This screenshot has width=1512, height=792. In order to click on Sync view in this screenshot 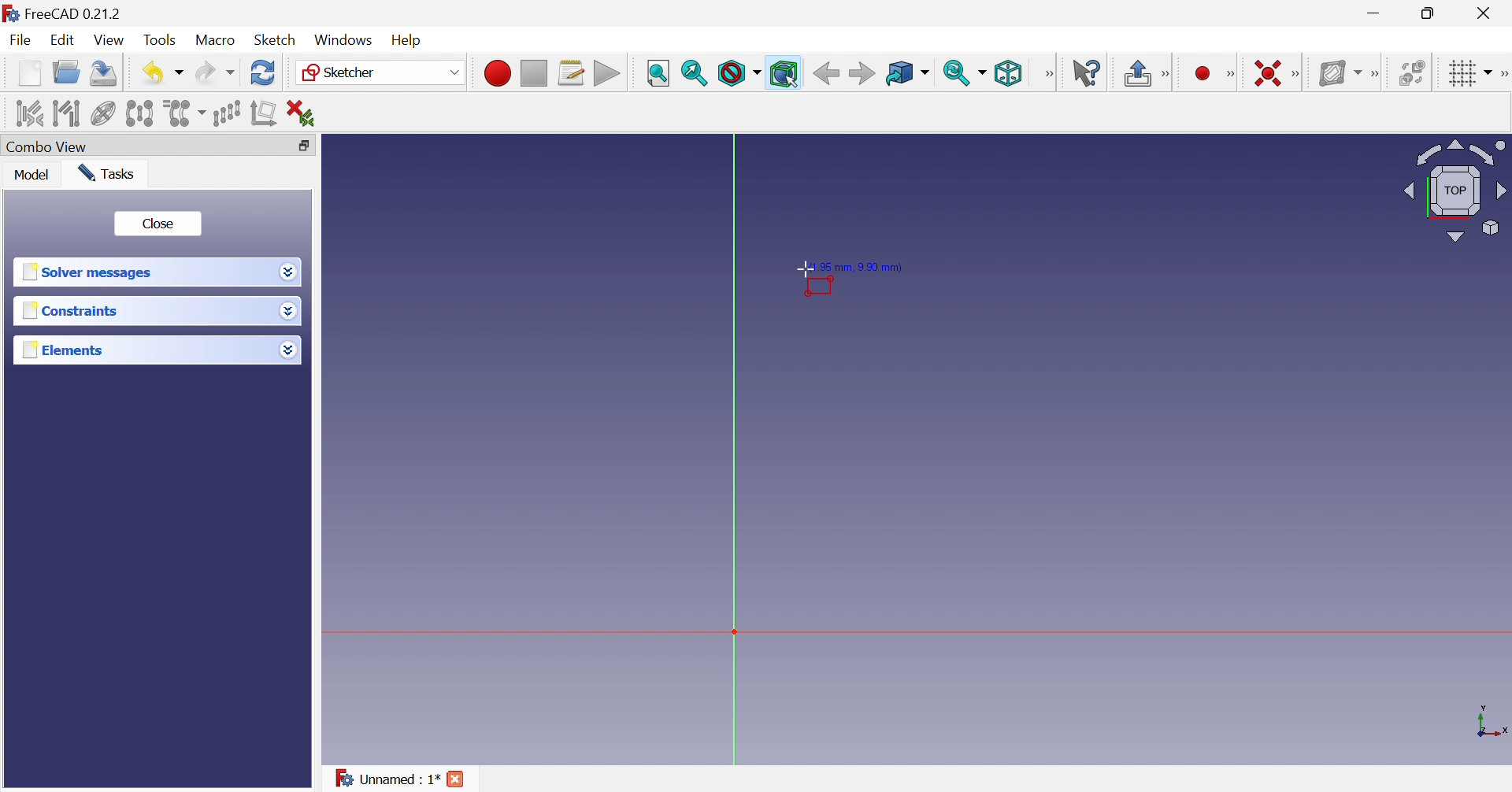, I will do `click(965, 73)`.